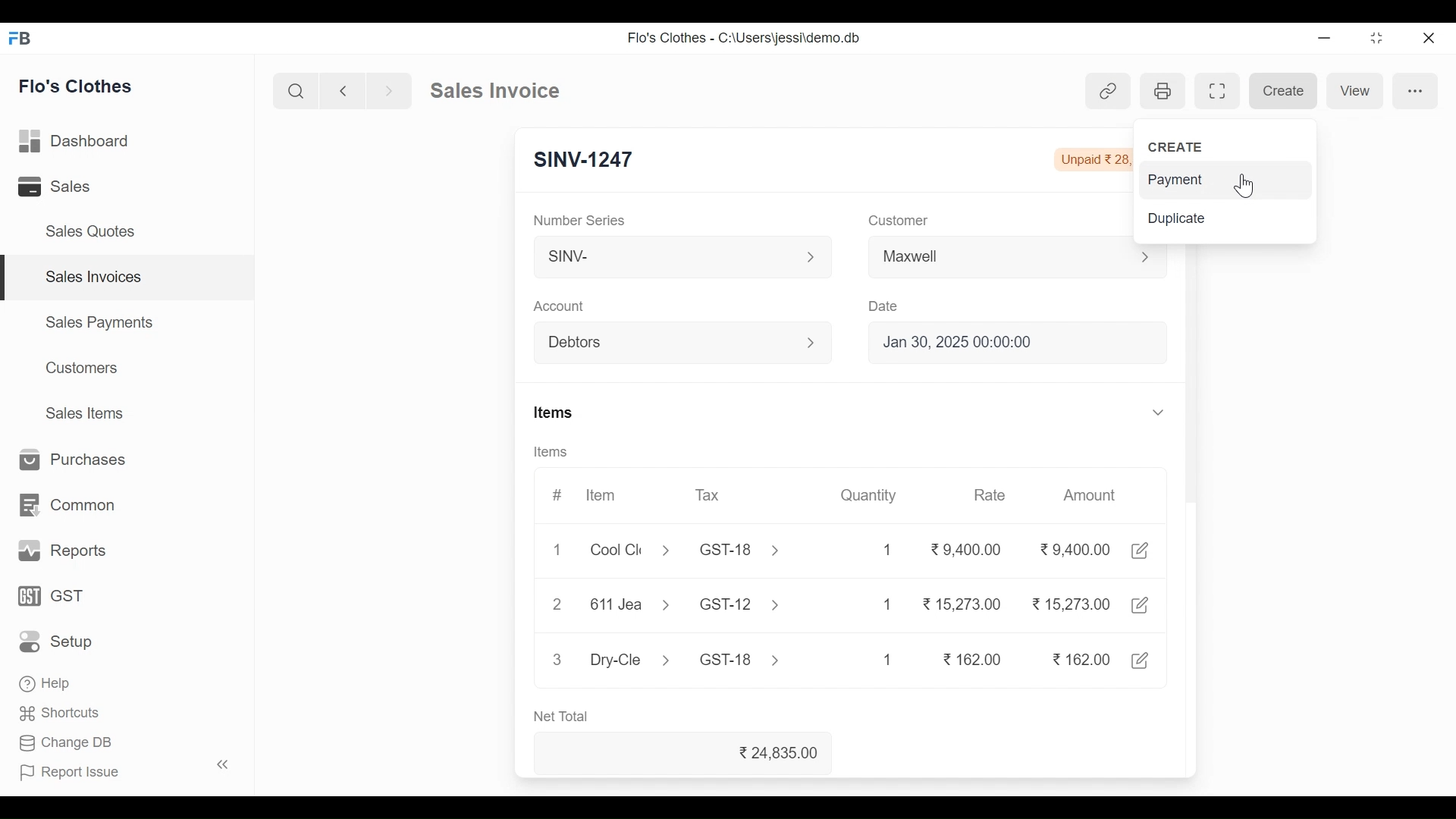 Image resolution: width=1456 pixels, height=819 pixels. I want to click on CREATE, so click(1177, 145).